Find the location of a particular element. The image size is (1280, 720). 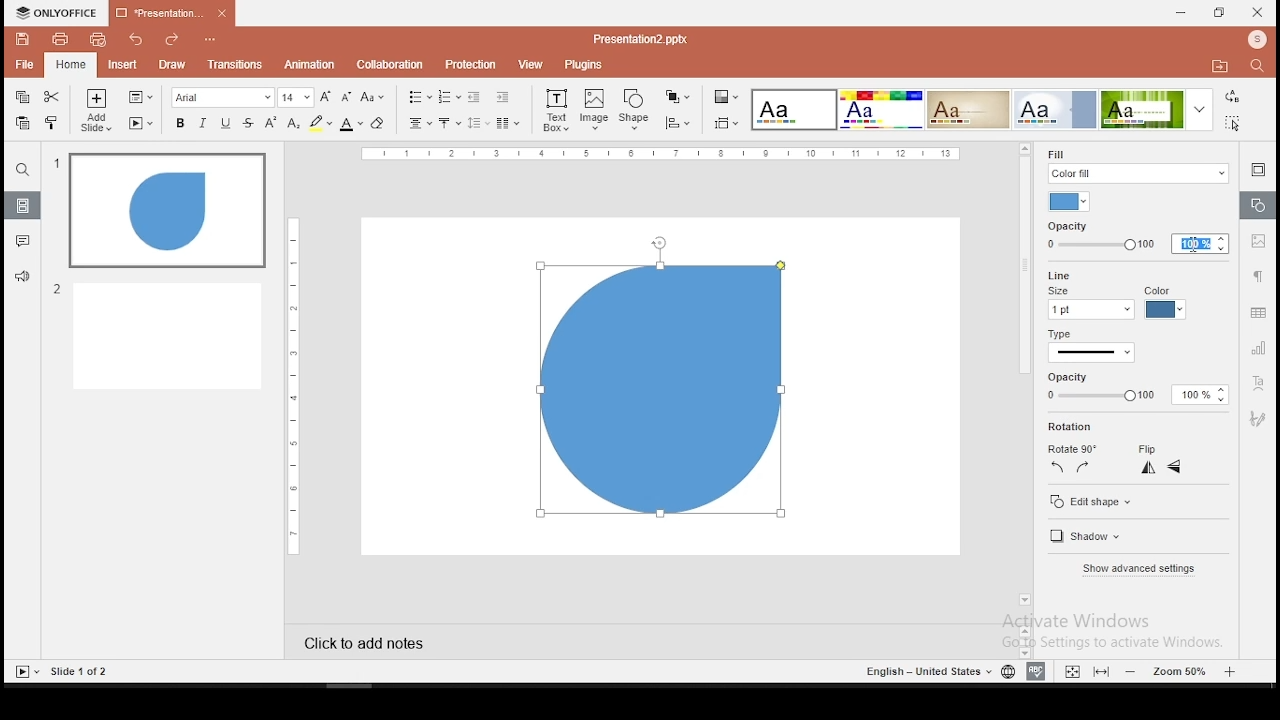

bold is located at coordinates (179, 122).